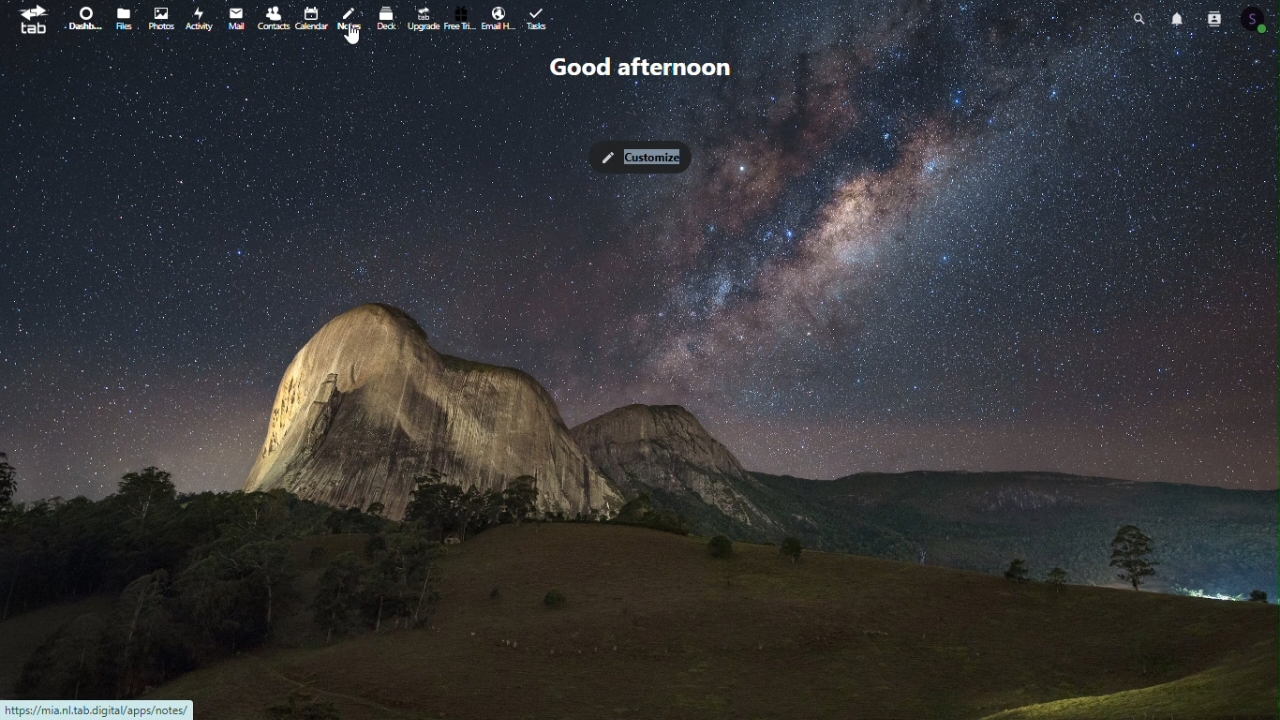 This screenshot has height=720, width=1280. I want to click on Upgrade, so click(423, 20).